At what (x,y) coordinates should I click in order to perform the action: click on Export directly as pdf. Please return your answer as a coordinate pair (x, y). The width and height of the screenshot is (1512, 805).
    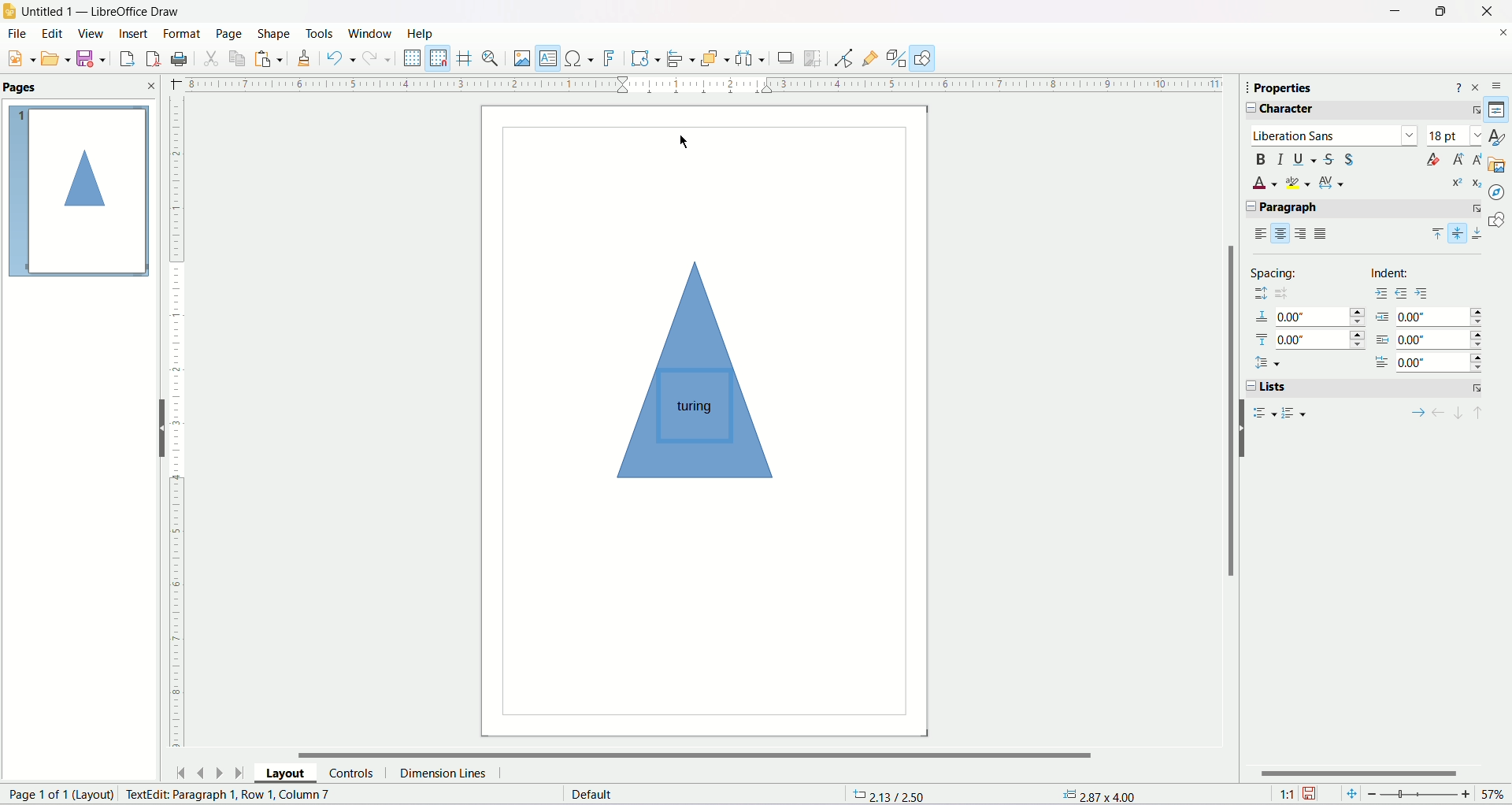
    Looking at the image, I should click on (152, 58).